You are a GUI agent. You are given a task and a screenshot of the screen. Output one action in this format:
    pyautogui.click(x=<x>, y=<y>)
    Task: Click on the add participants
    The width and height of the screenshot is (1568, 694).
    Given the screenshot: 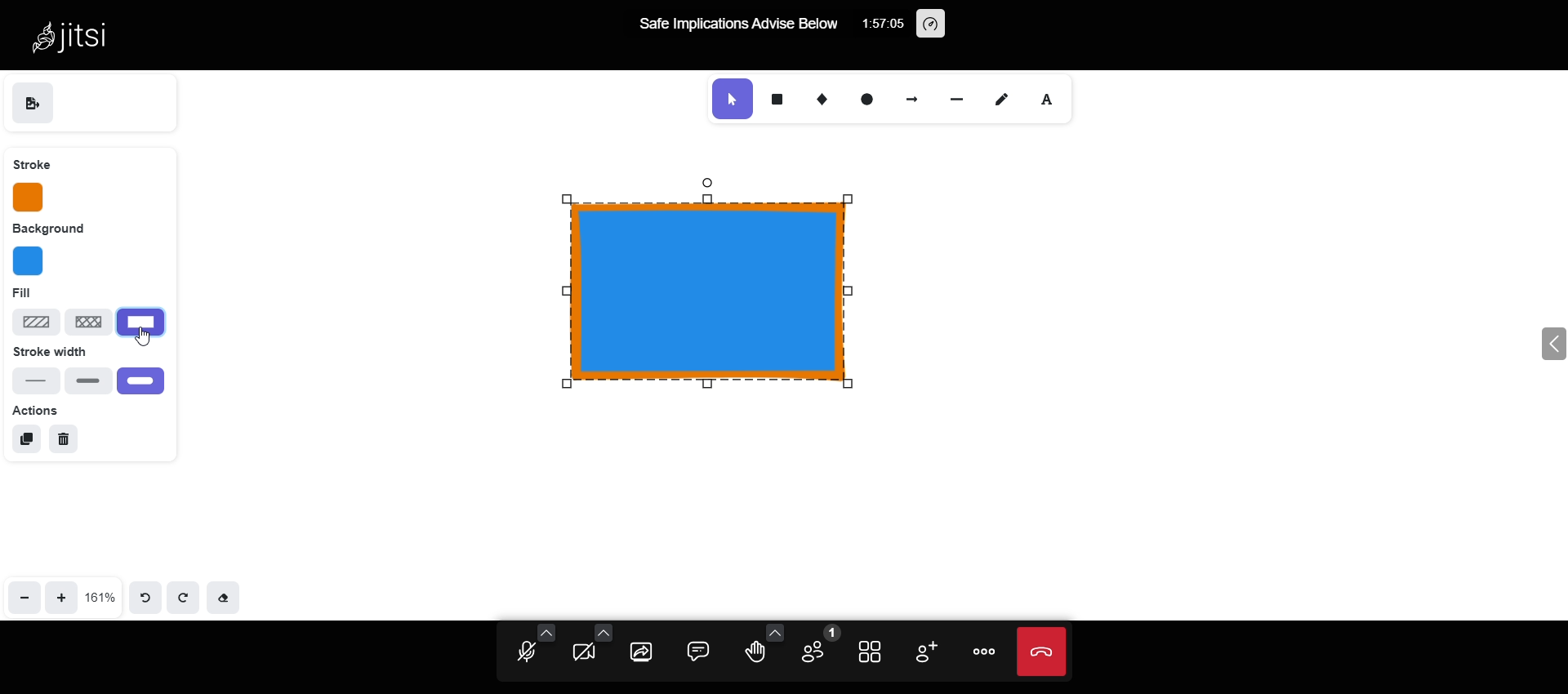 What is the action you would take?
    pyautogui.click(x=920, y=650)
    